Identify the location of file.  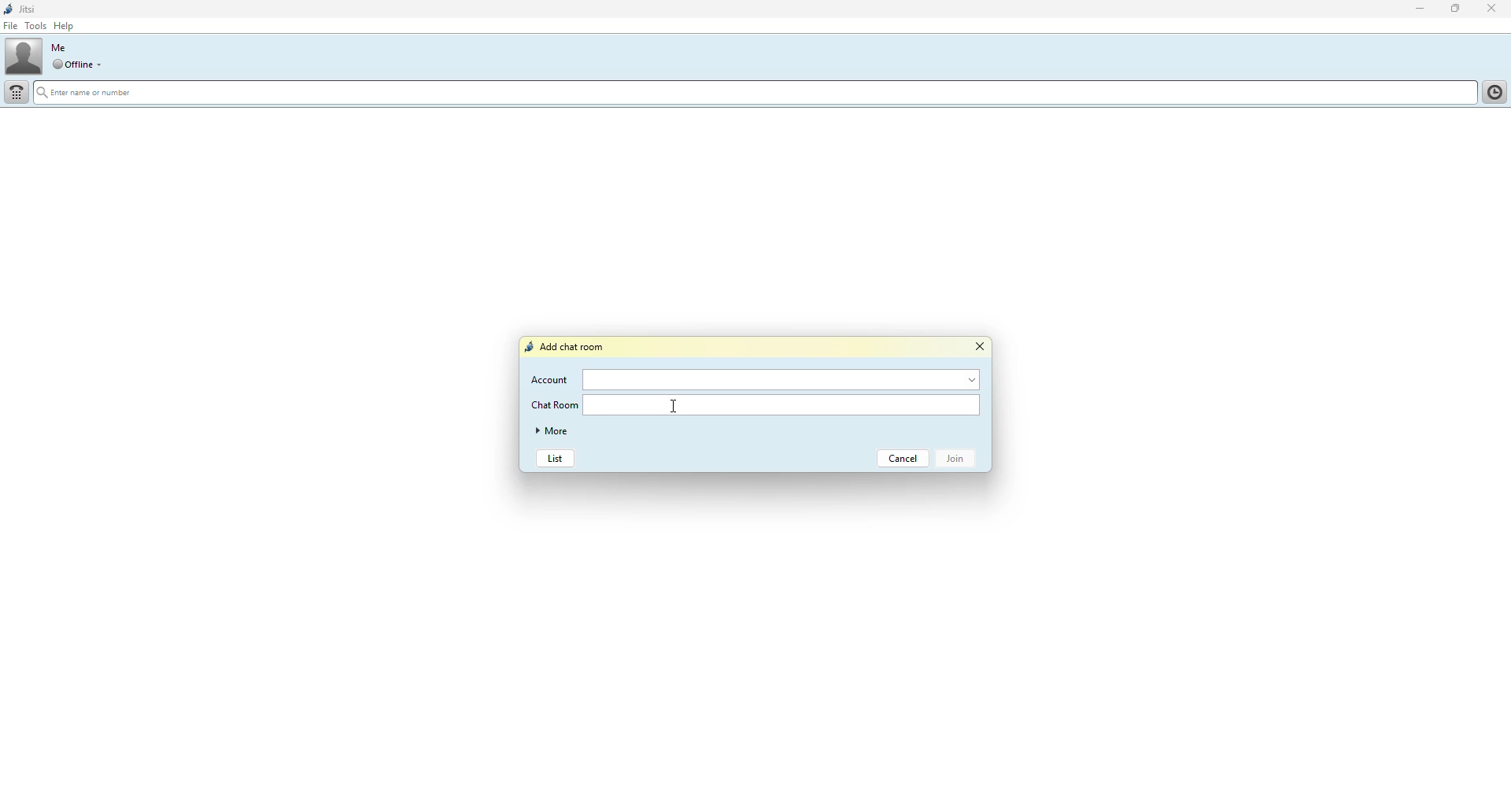
(11, 27).